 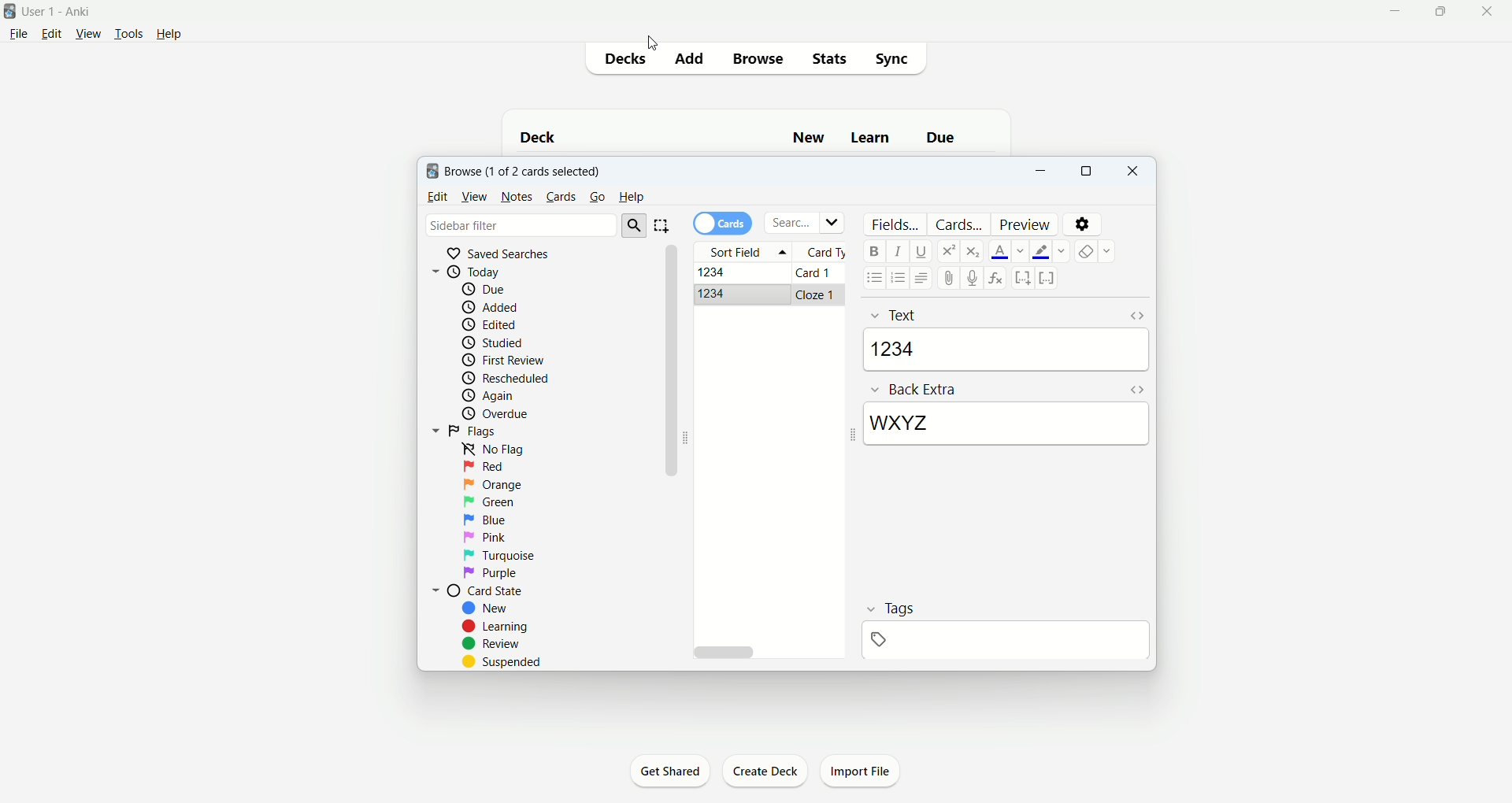 I want to click on added, so click(x=491, y=307).